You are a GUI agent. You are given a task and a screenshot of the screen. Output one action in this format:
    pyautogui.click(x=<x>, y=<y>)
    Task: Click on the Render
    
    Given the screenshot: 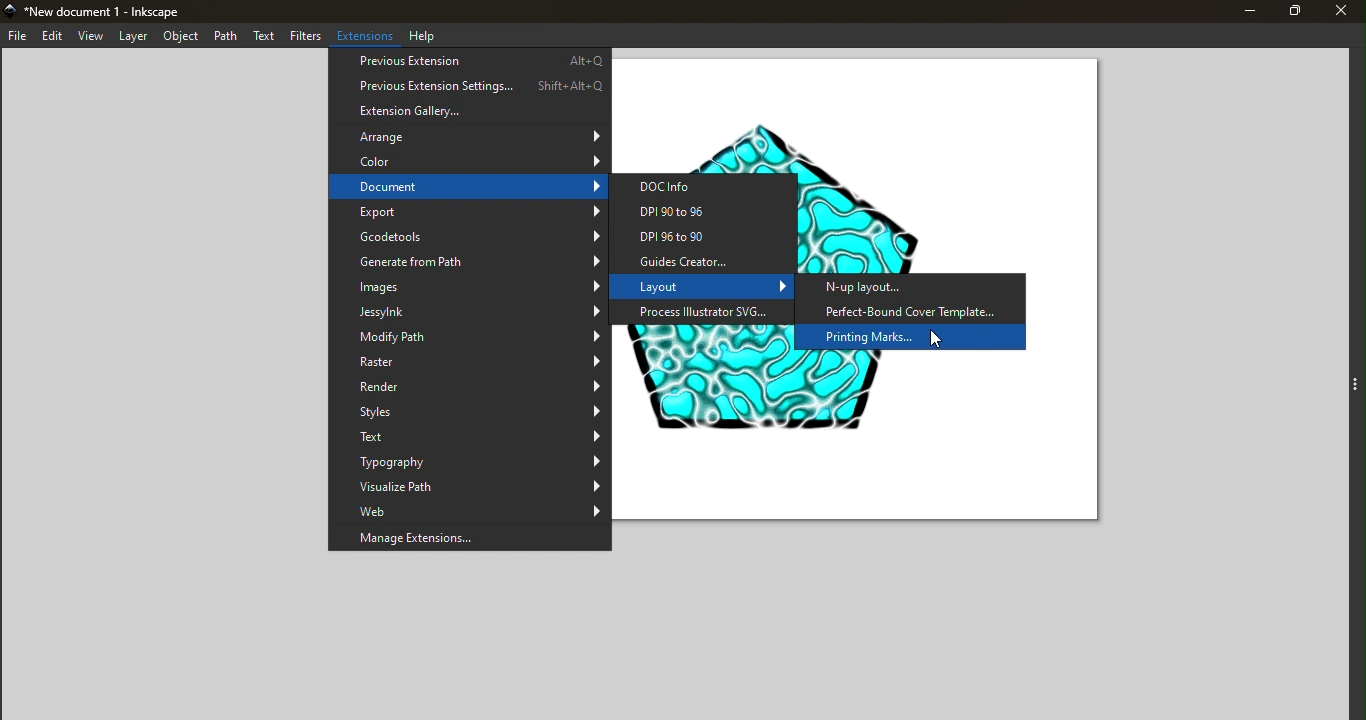 What is the action you would take?
    pyautogui.click(x=468, y=389)
    